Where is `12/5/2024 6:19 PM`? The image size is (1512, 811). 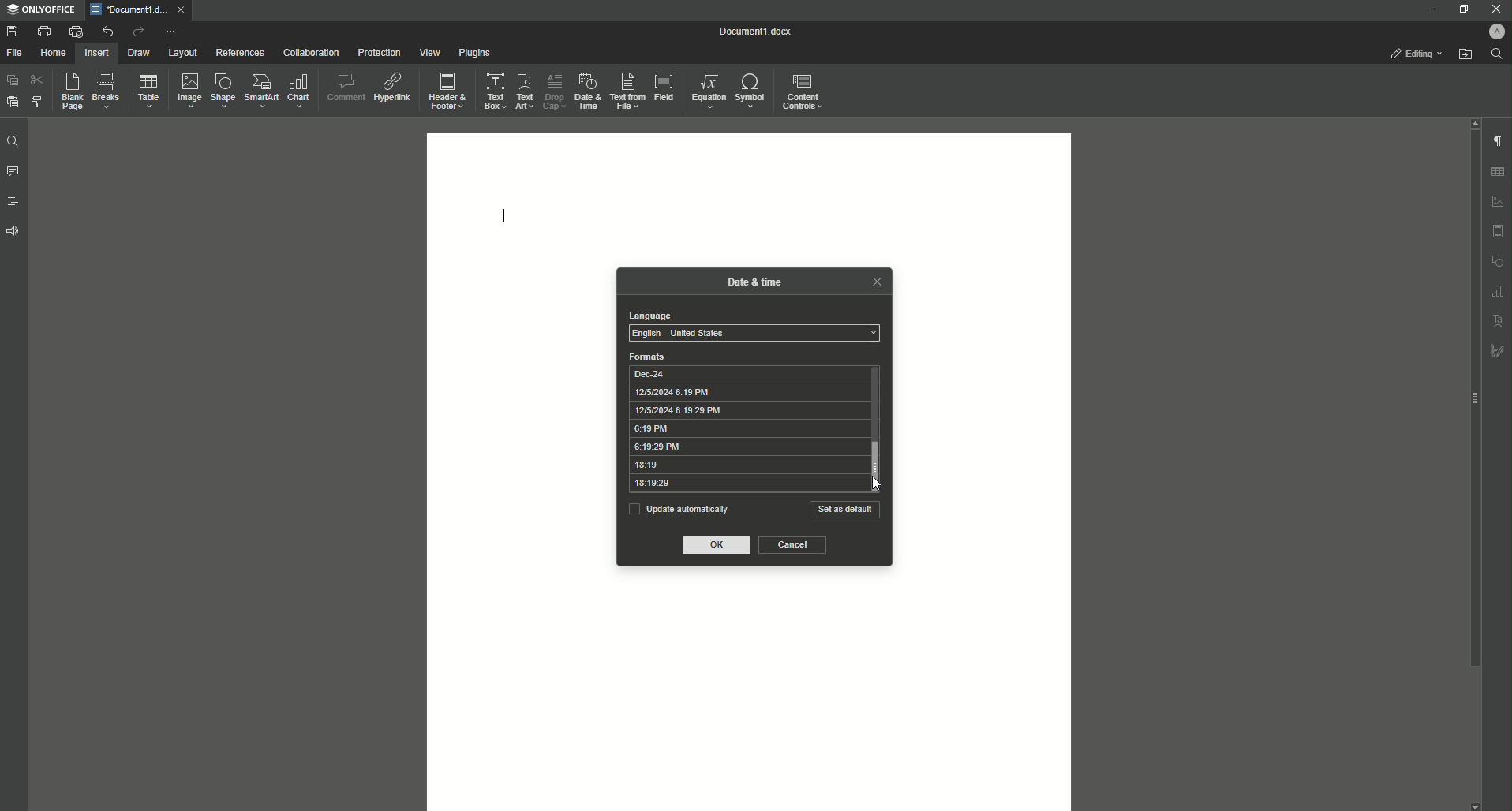
12/5/2024 6:19 PM is located at coordinates (747, 392).